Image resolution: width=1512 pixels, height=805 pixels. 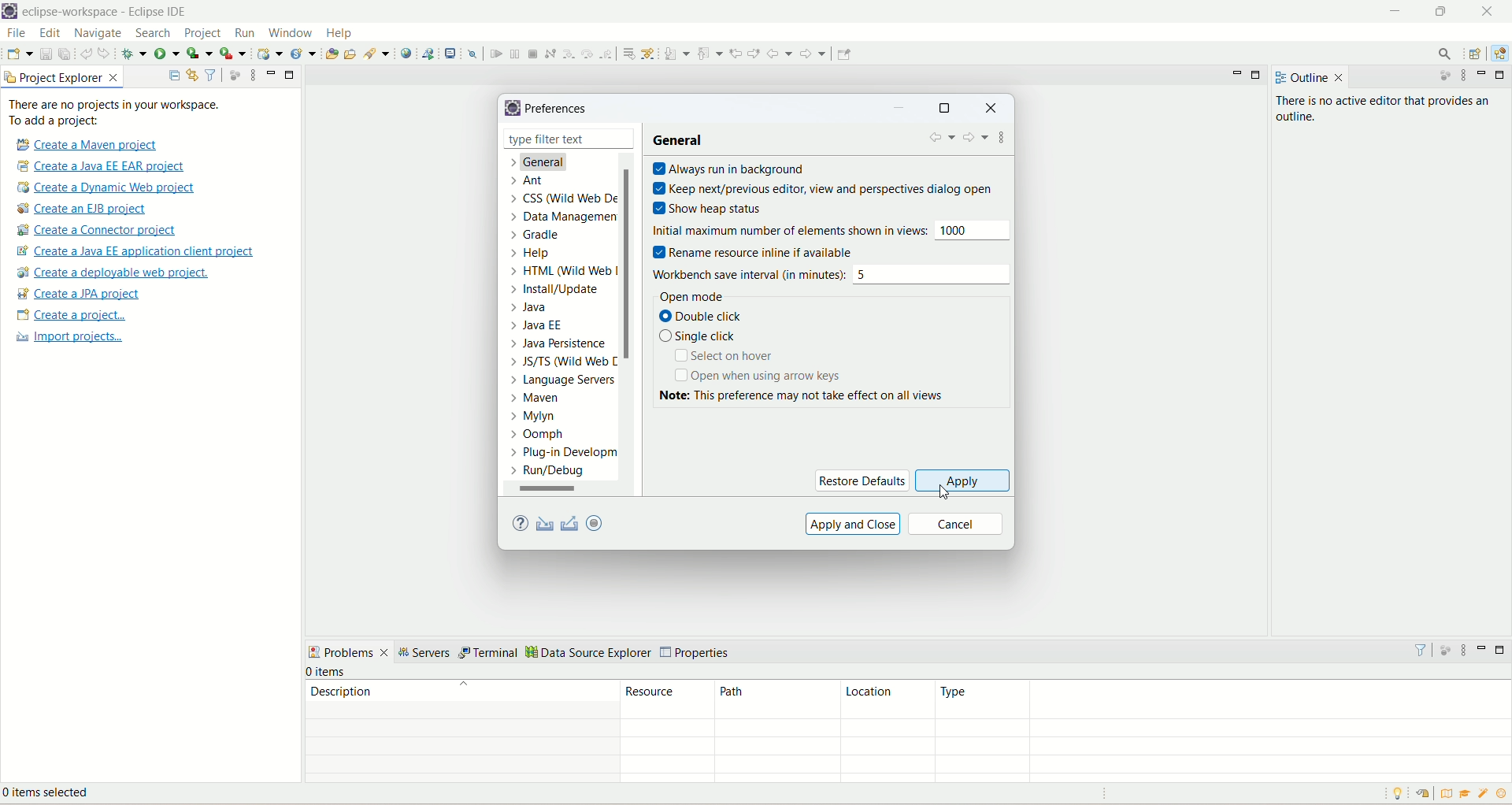 What do you see at coordinates (1222, 699) in the screenshot?
I see `type` at bounding box center [1222, 699].